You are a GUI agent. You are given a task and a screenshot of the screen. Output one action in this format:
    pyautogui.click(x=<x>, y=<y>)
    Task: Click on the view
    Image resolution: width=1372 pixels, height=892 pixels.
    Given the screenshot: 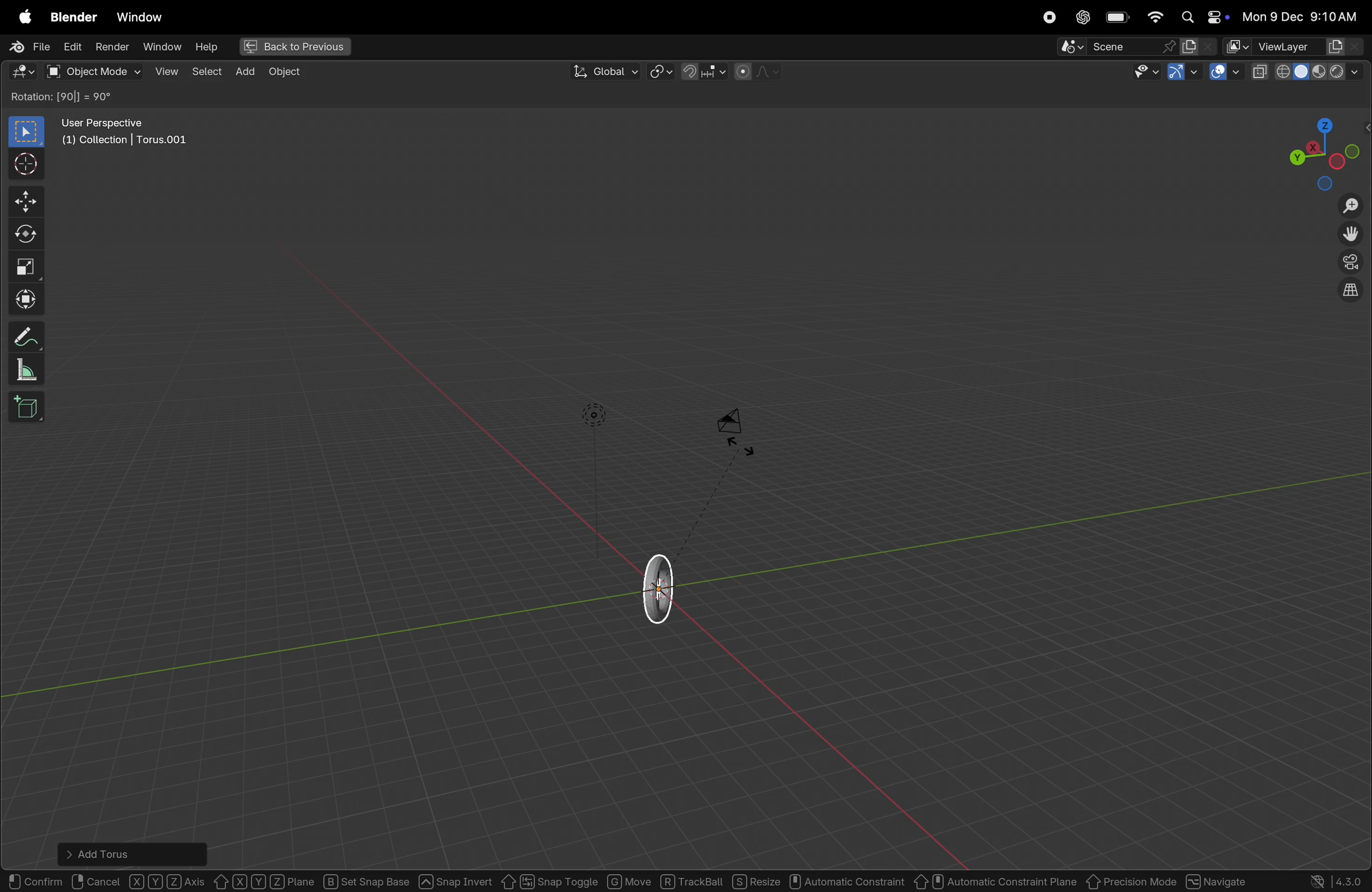 What is the action you would take?
    pyautogui.click(x=166, y=71)
    